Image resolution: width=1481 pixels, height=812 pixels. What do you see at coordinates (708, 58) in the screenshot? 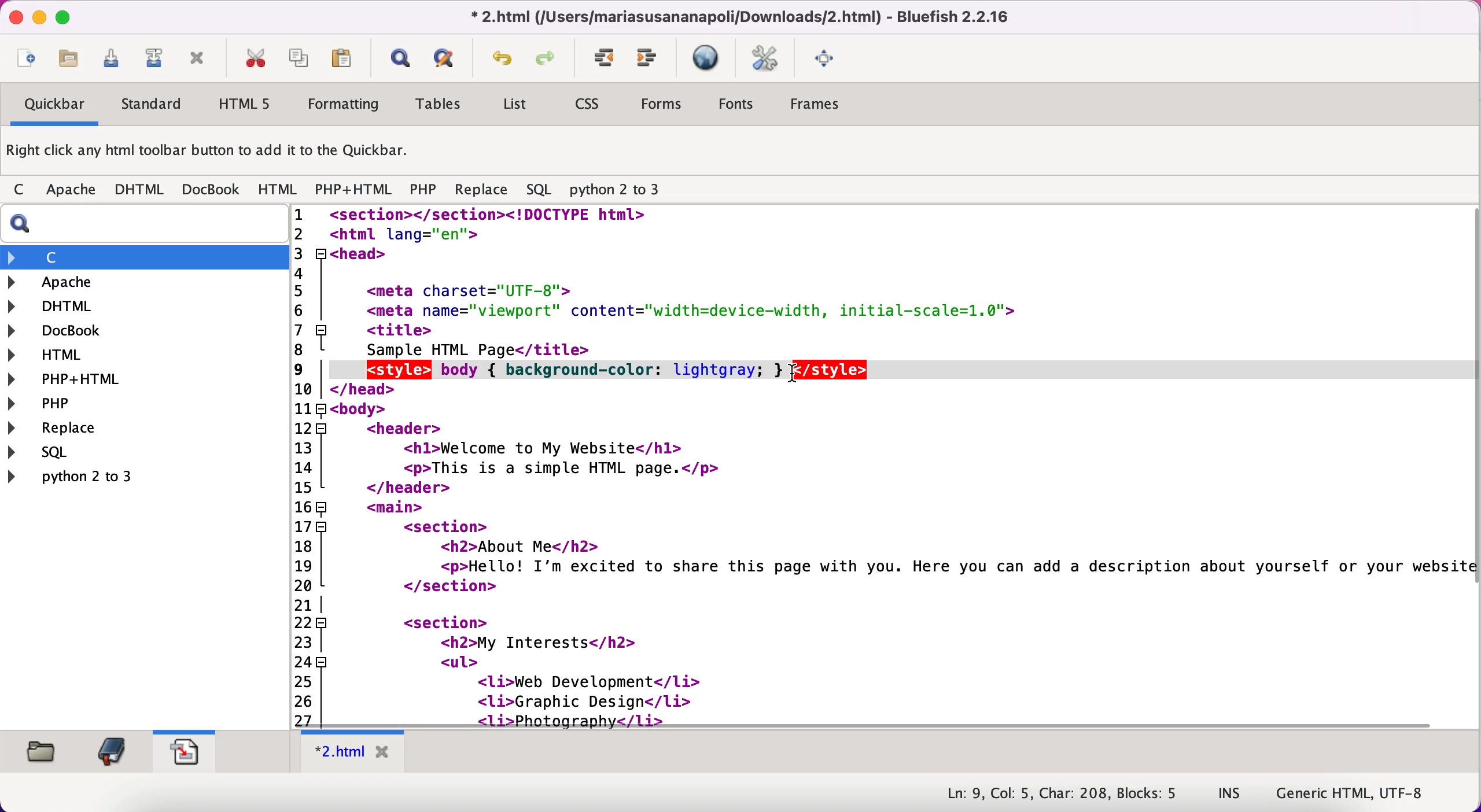
I see `preview in browser` at bounding box center [708, 58].